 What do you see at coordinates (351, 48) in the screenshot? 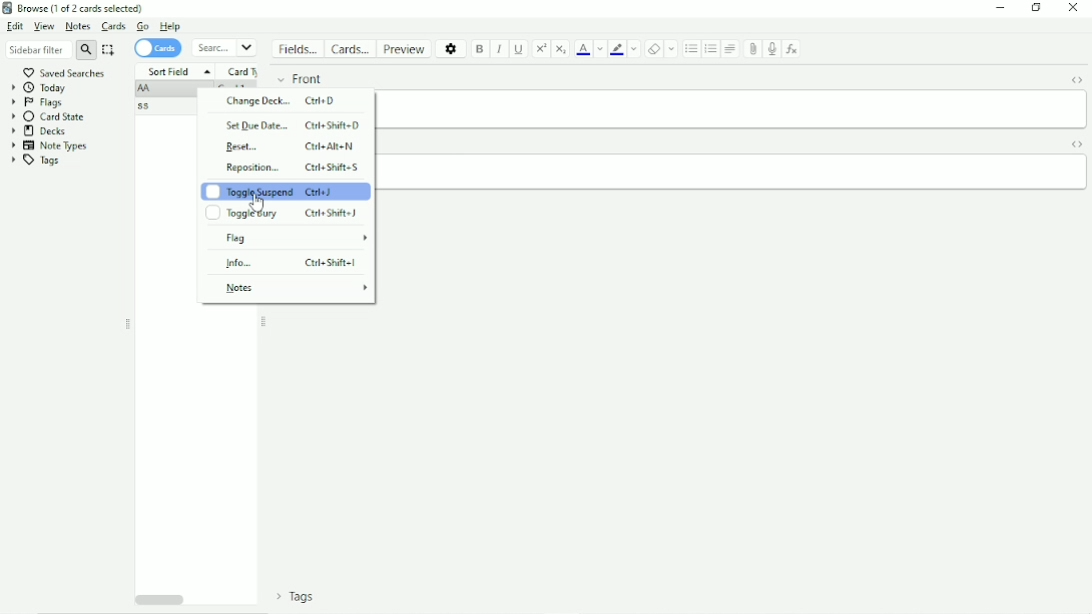
I see `Cards` at bounding box center [351, 48].